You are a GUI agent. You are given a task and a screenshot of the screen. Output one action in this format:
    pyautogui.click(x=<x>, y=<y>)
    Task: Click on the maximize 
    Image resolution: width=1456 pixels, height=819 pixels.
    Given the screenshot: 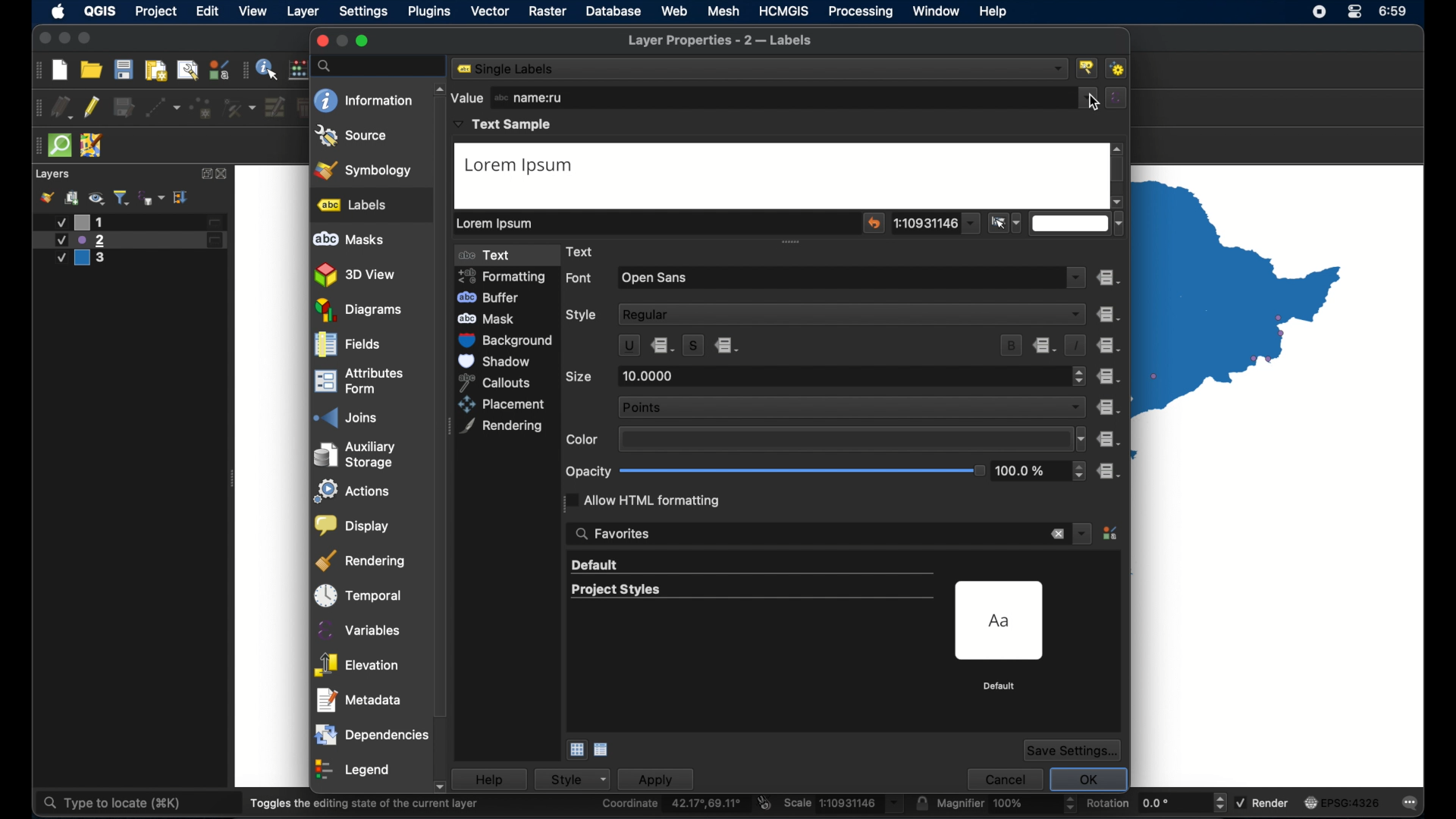 What is the action you would take?
    pyautogui.click(x=86, y=39)
    